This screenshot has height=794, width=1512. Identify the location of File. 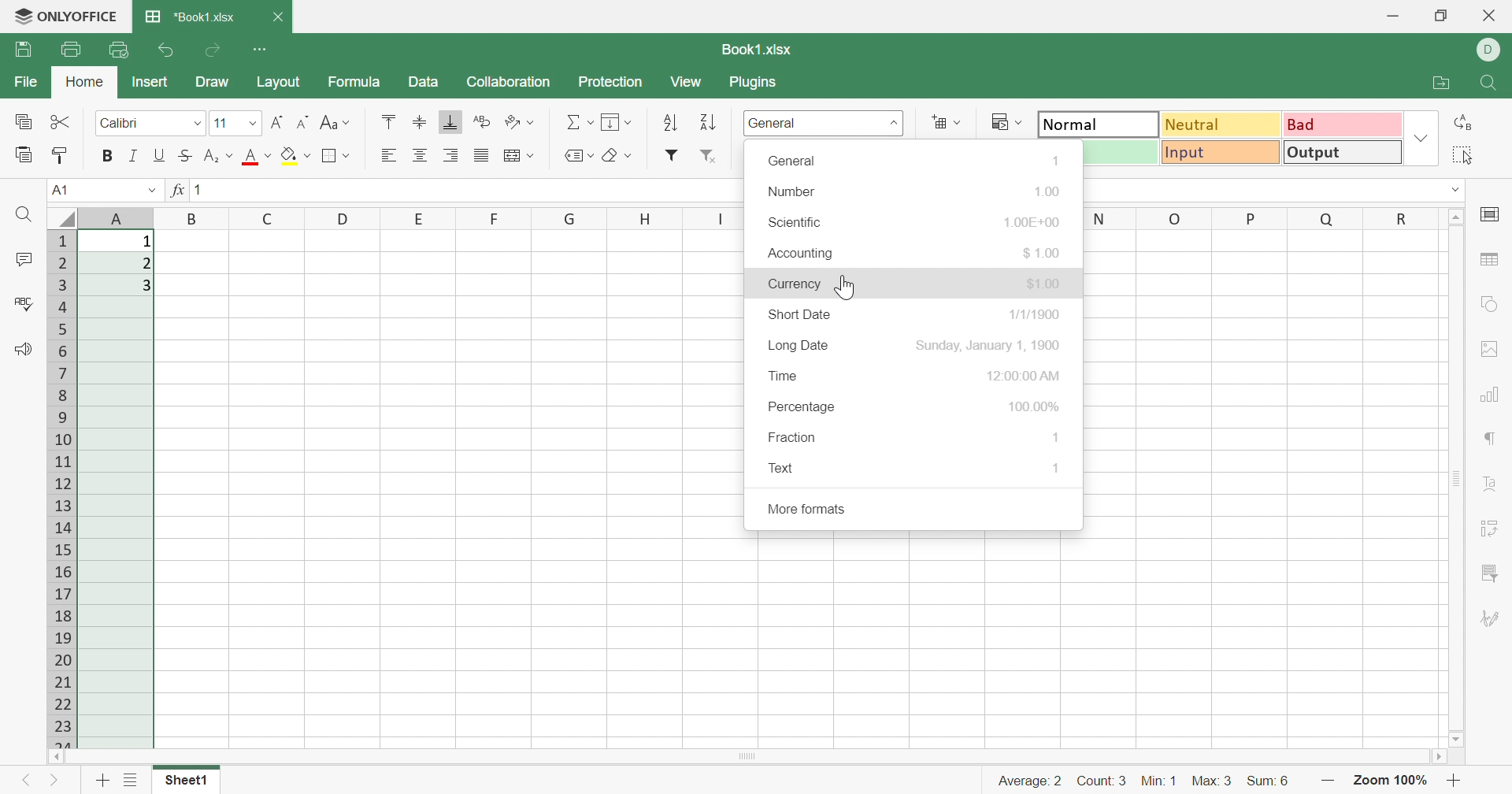
(29, 82).